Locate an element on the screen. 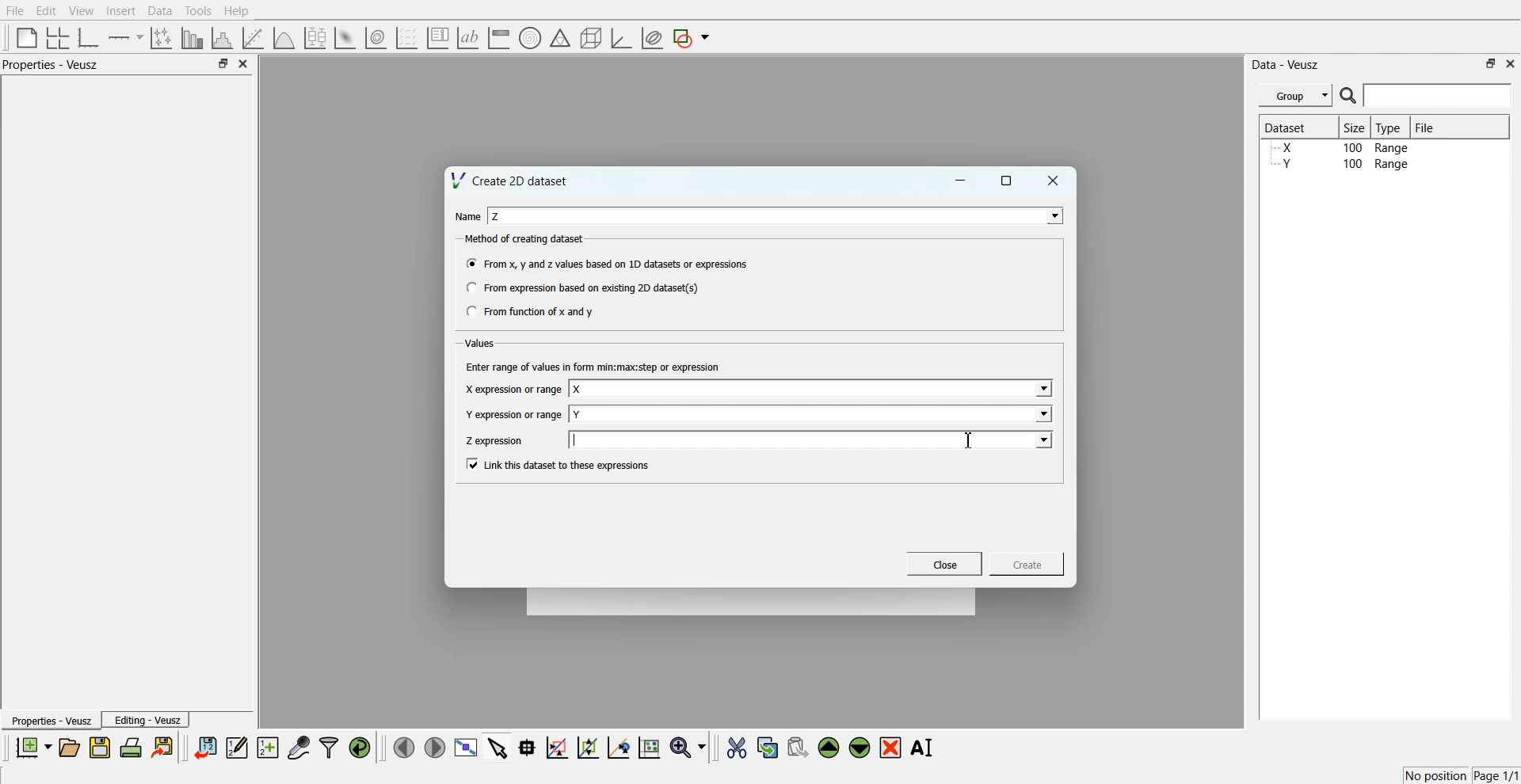  Close is located at coordinates (1054, 181).